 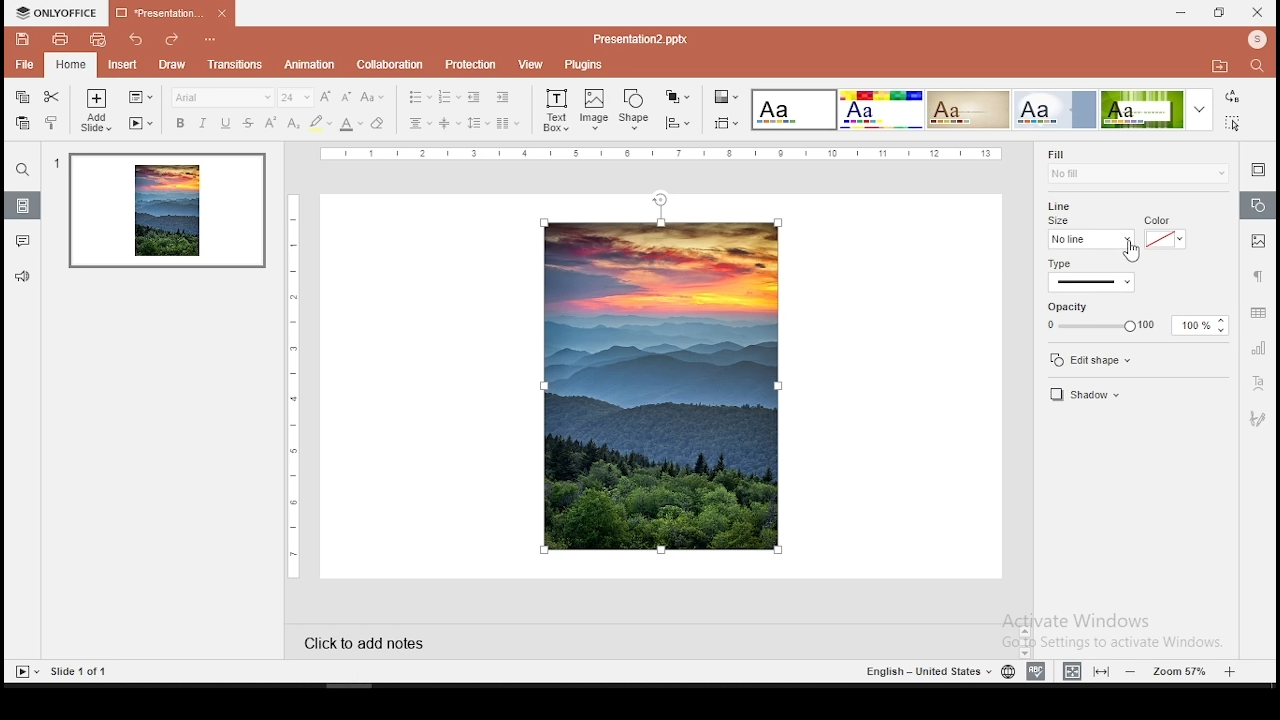 I want to click on eraser tool, so click(x=378, y=122).